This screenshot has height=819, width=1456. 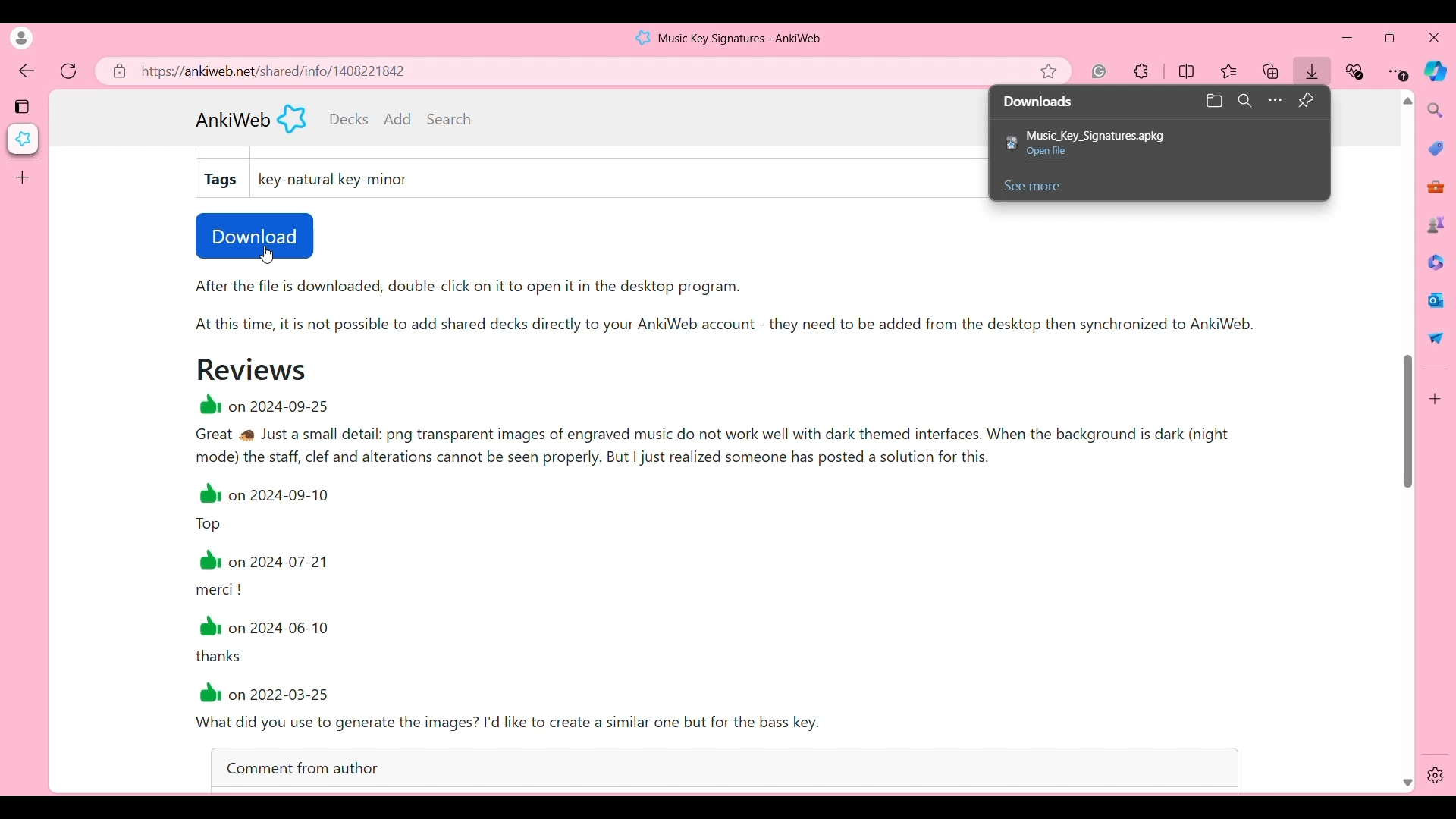 What do you see at coordinates (1407, 101) in the screenshot?
I see `Quick slide to top` at bounding box center [1407, 101].